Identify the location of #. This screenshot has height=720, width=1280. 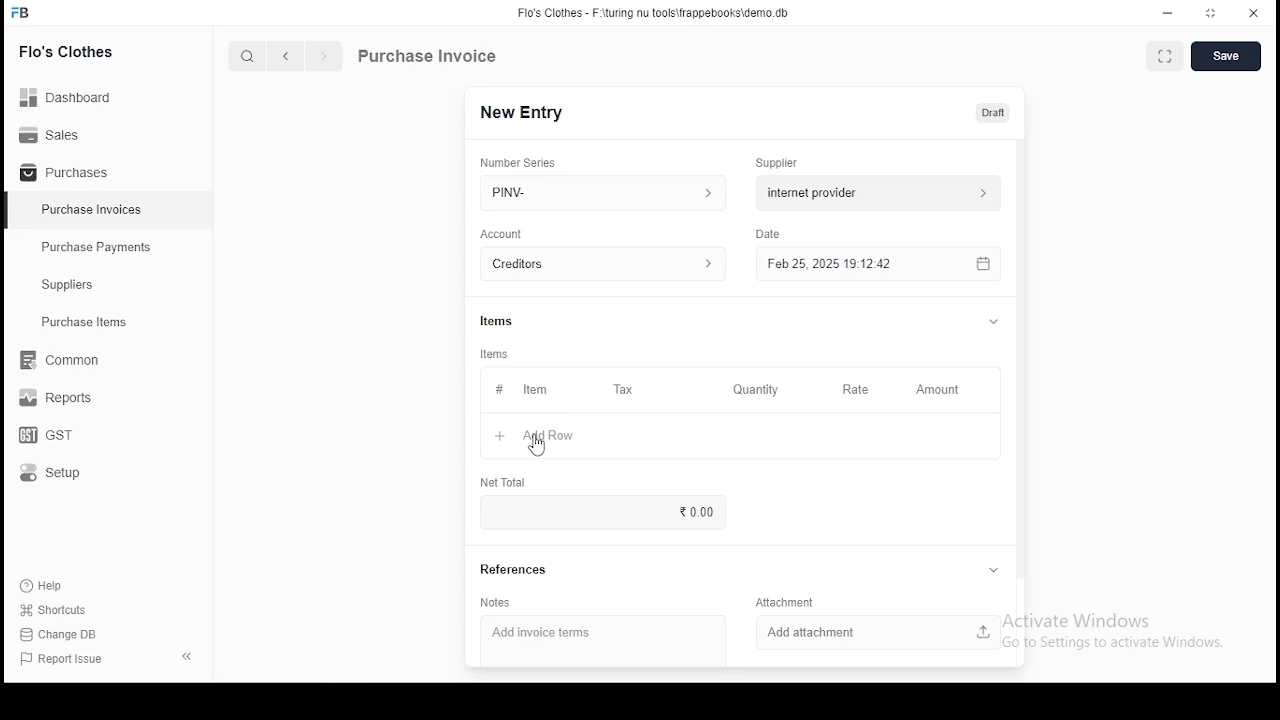
(499, 391).